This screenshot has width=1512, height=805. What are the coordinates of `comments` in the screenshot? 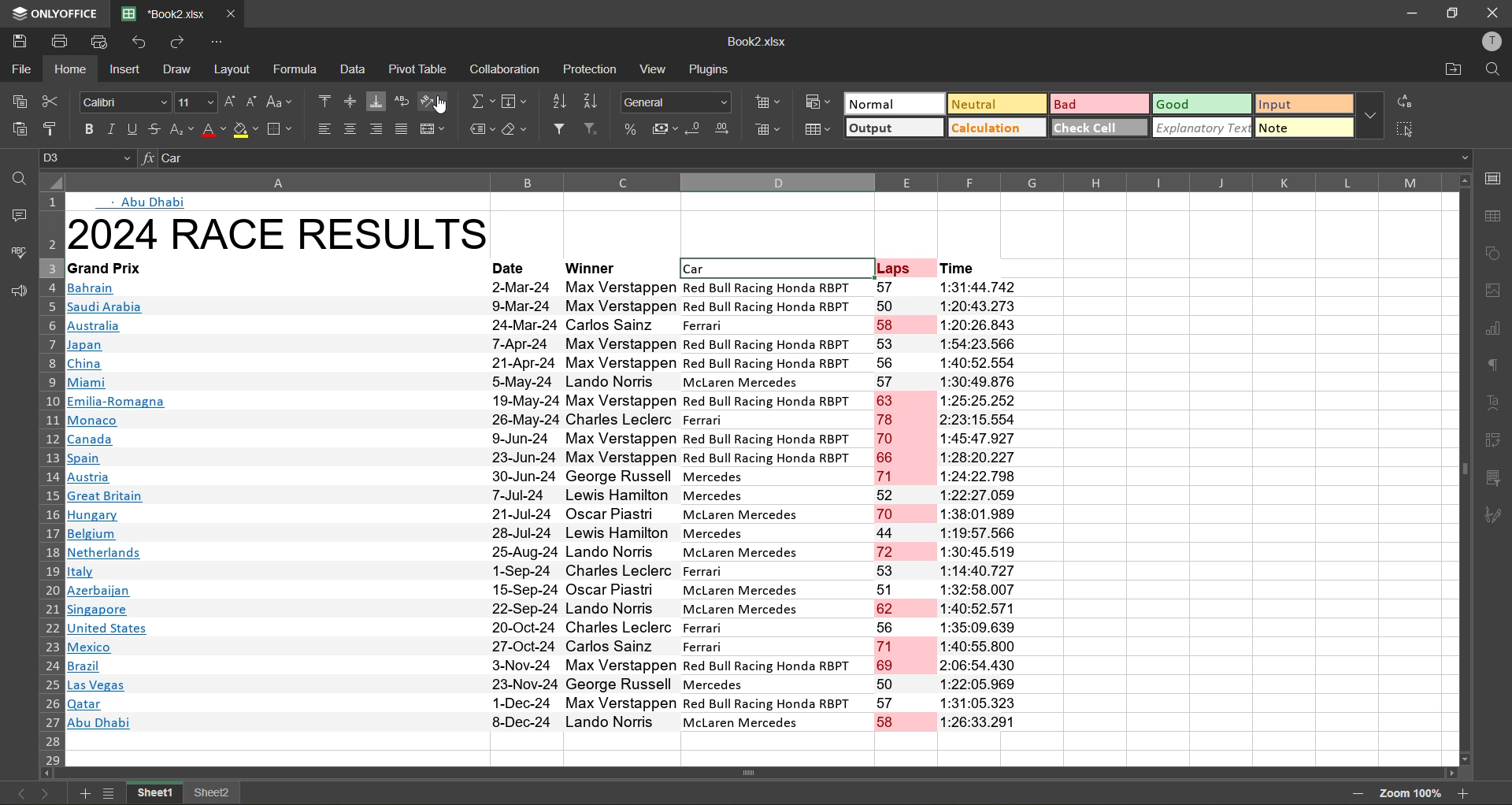 It's located at (17, 216).